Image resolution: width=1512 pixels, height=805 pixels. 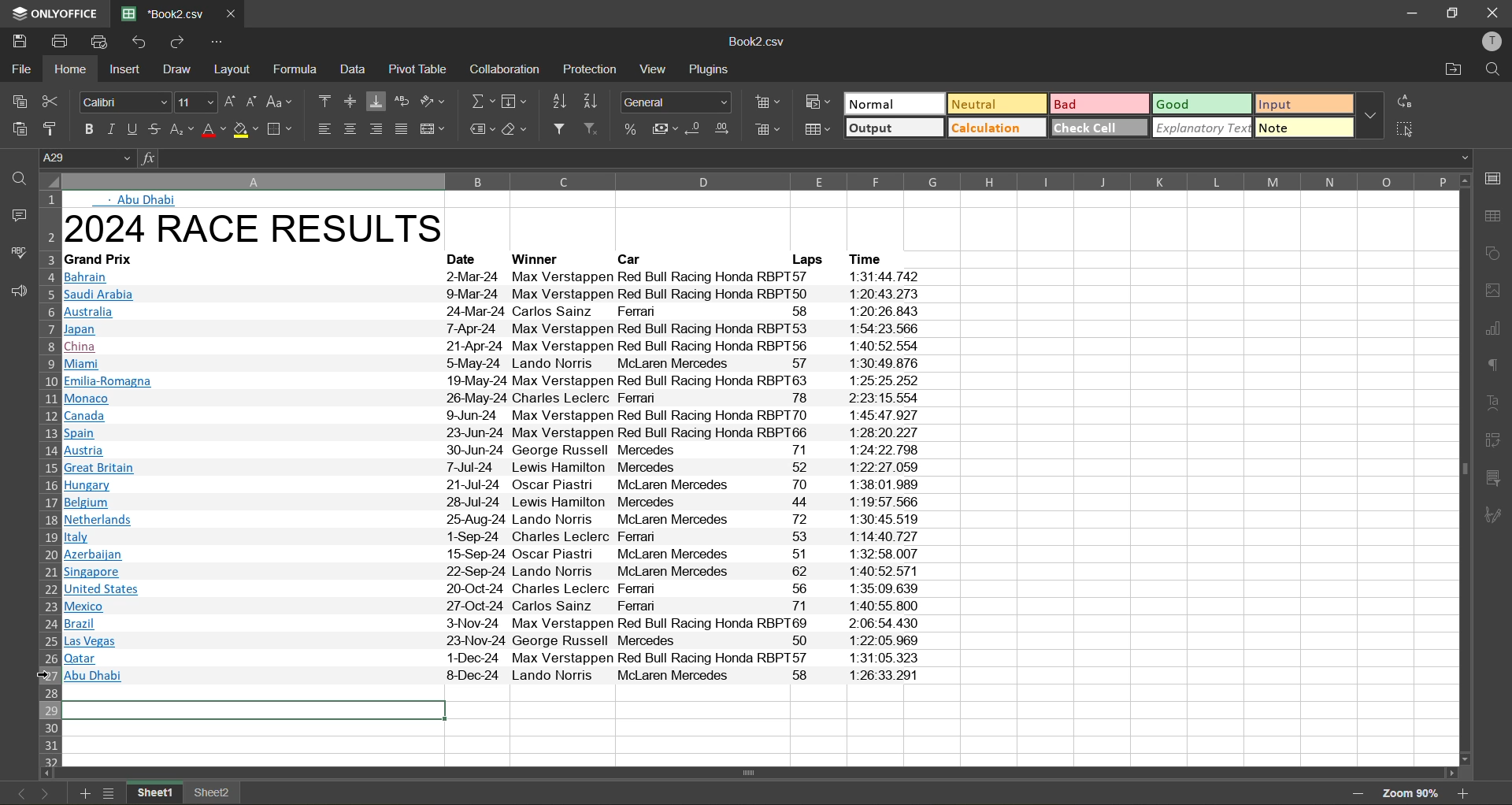 What do you see at coordinates (325, 130) in the screenshot?
I see `align left` at bounding box center [325, 130].